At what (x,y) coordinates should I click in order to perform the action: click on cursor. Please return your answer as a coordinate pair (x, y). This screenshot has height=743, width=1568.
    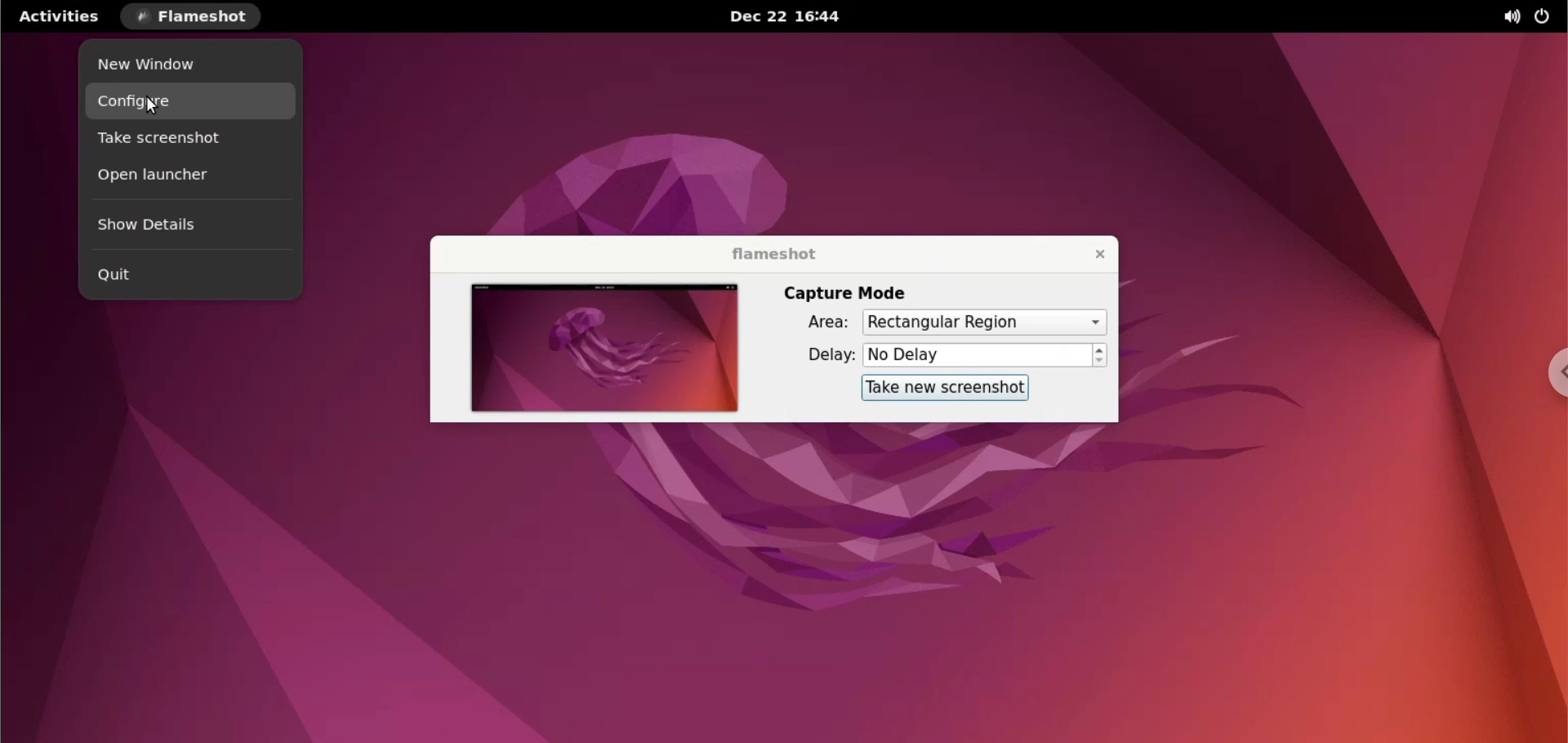
    Looking at the image, I should click on (163, 104).